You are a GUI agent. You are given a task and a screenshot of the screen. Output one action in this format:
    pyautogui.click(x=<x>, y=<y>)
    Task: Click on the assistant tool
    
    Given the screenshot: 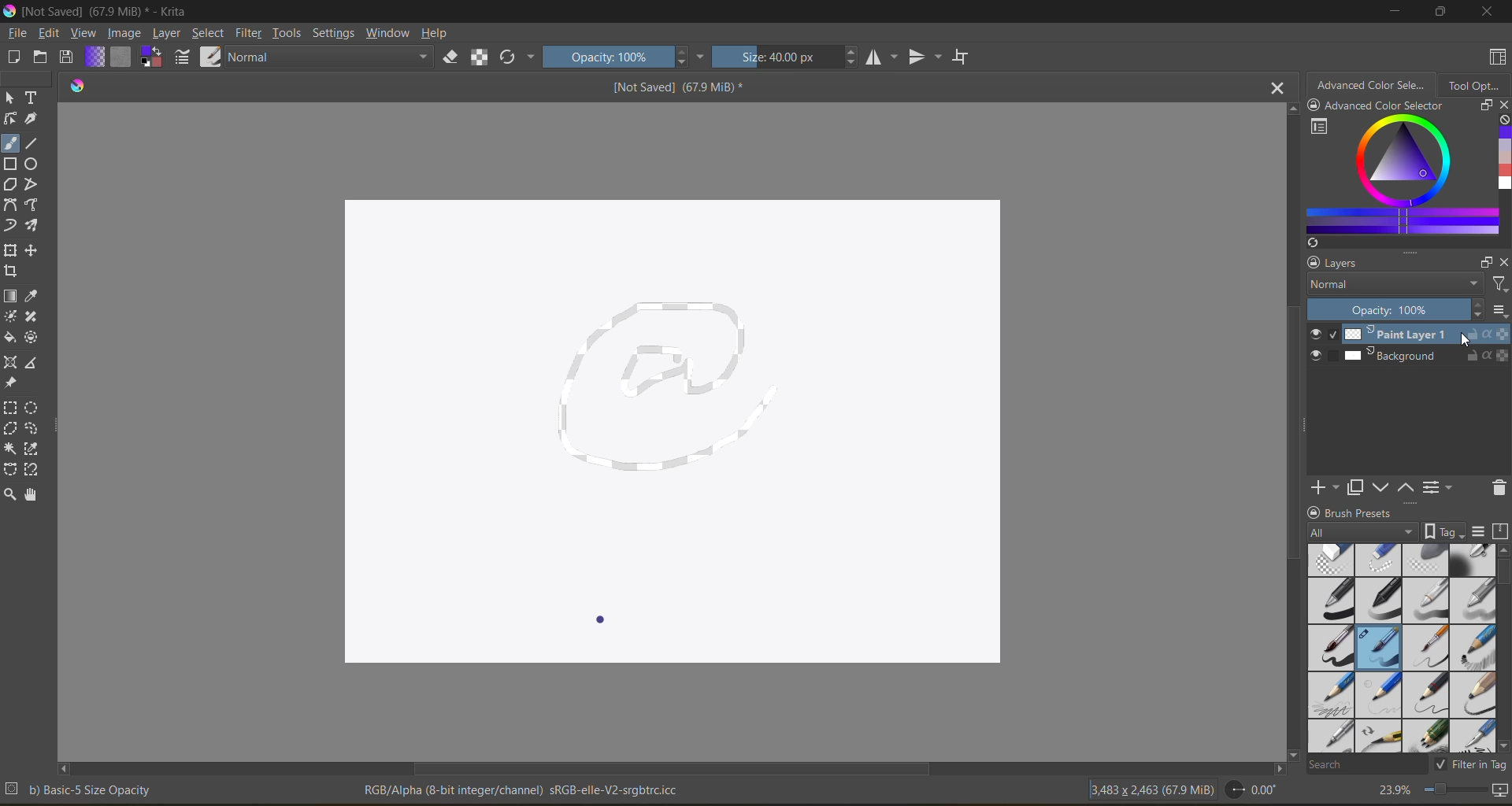 What is the action you would take?
    pyautogui.click(x=9, y=361)
    